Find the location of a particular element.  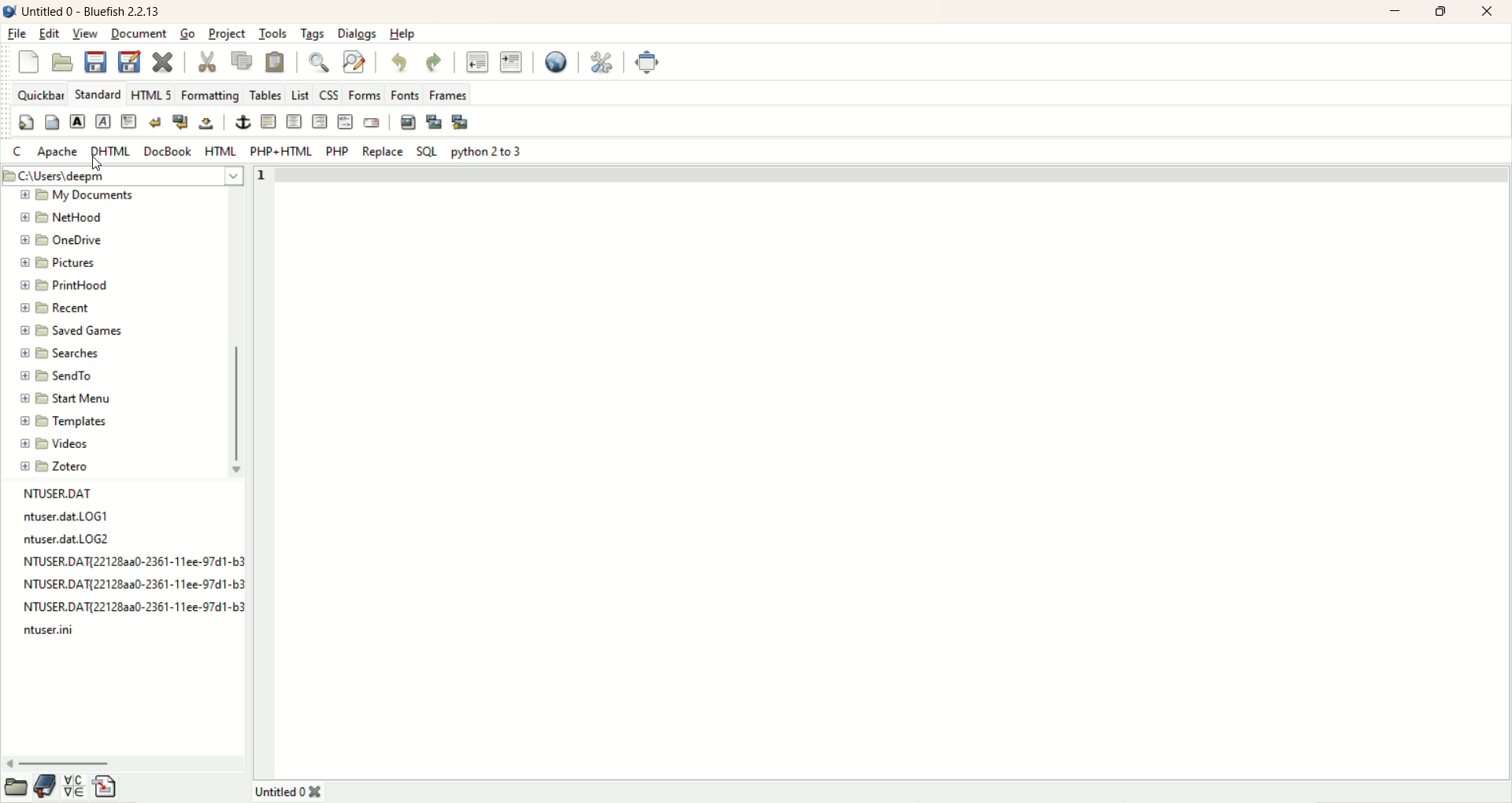

go is located at coordinates (187, 35).